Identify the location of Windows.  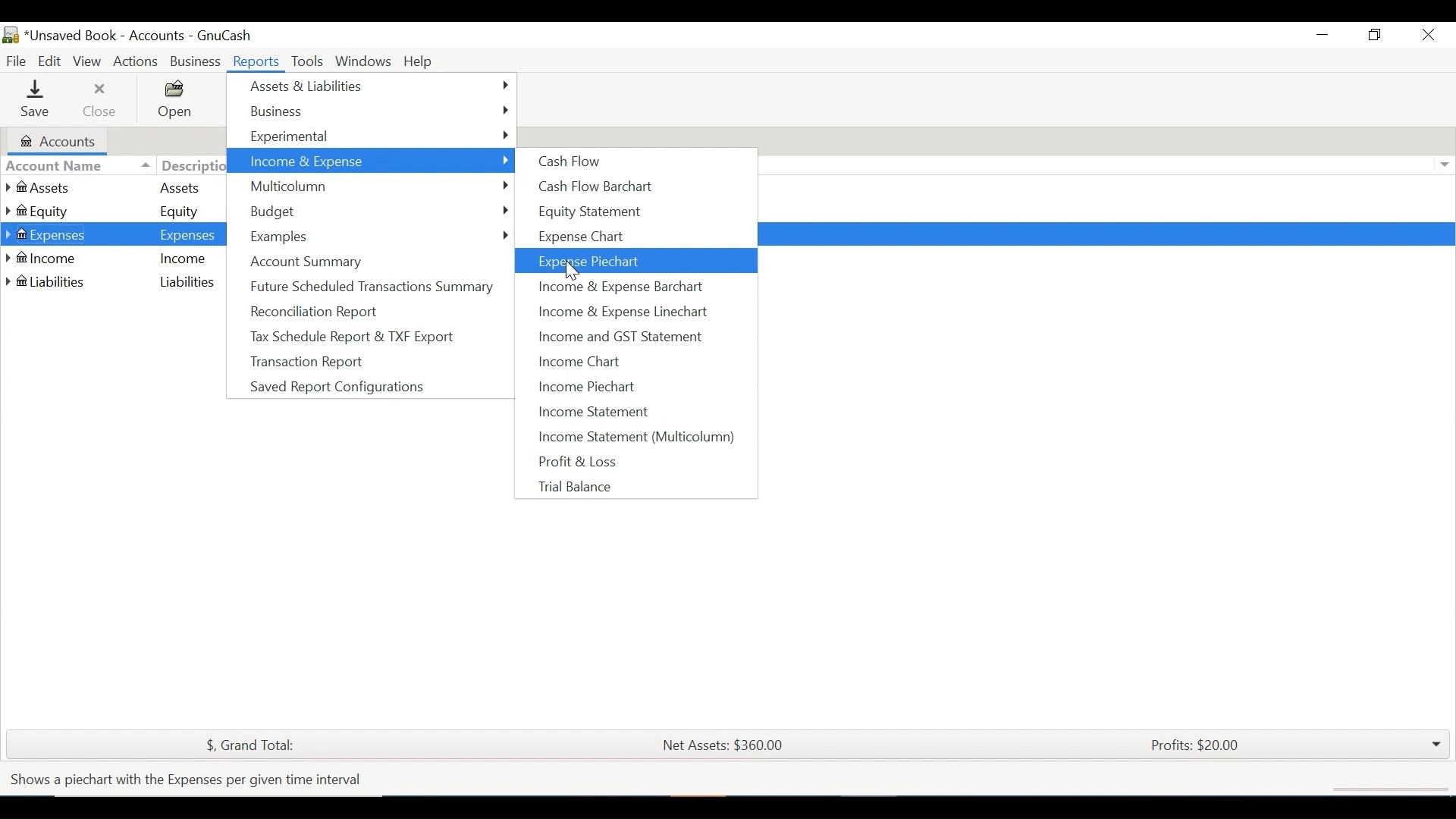
(363, 61).